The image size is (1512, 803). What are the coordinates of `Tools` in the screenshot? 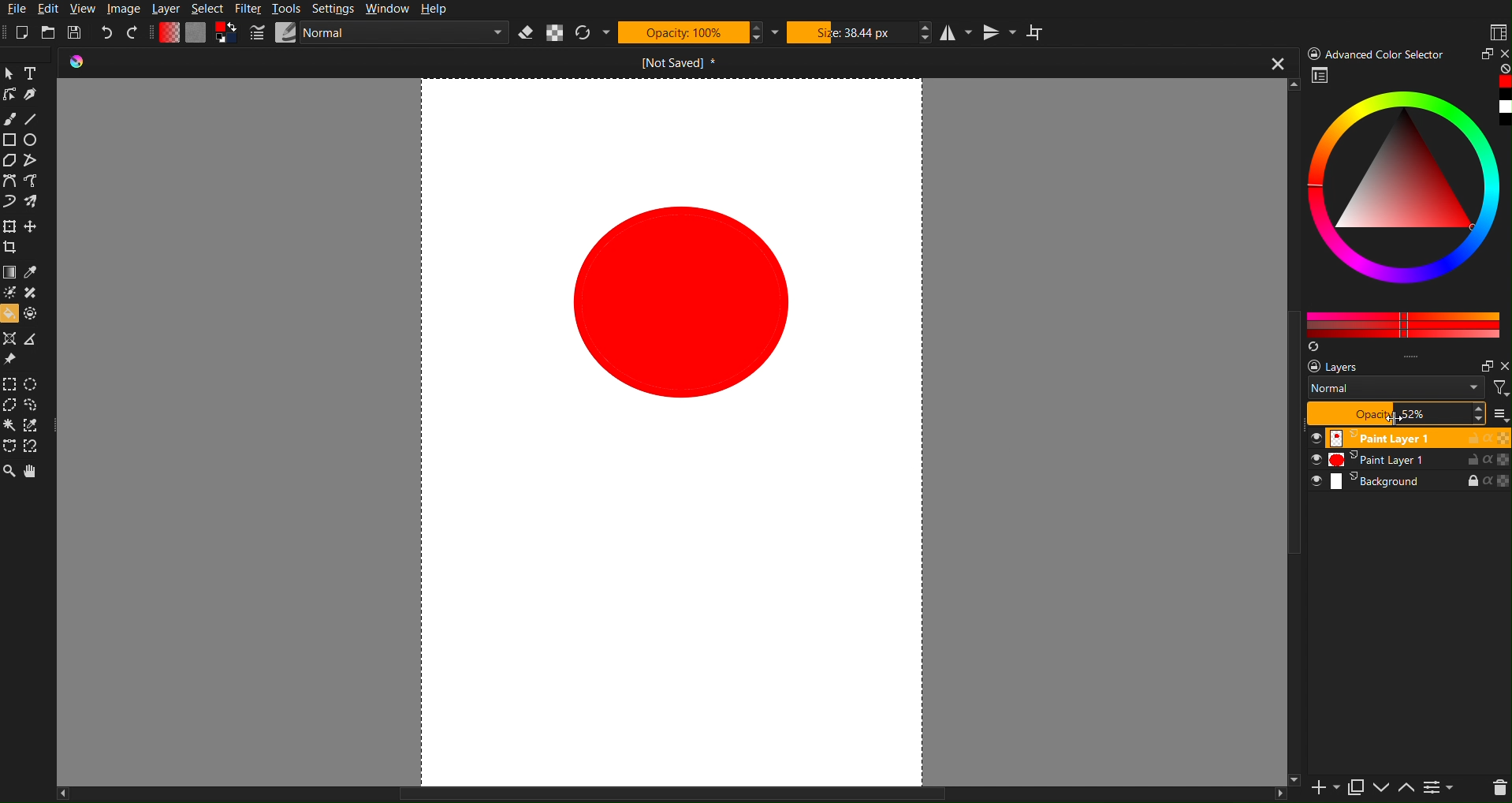 It's located at (288, 9).